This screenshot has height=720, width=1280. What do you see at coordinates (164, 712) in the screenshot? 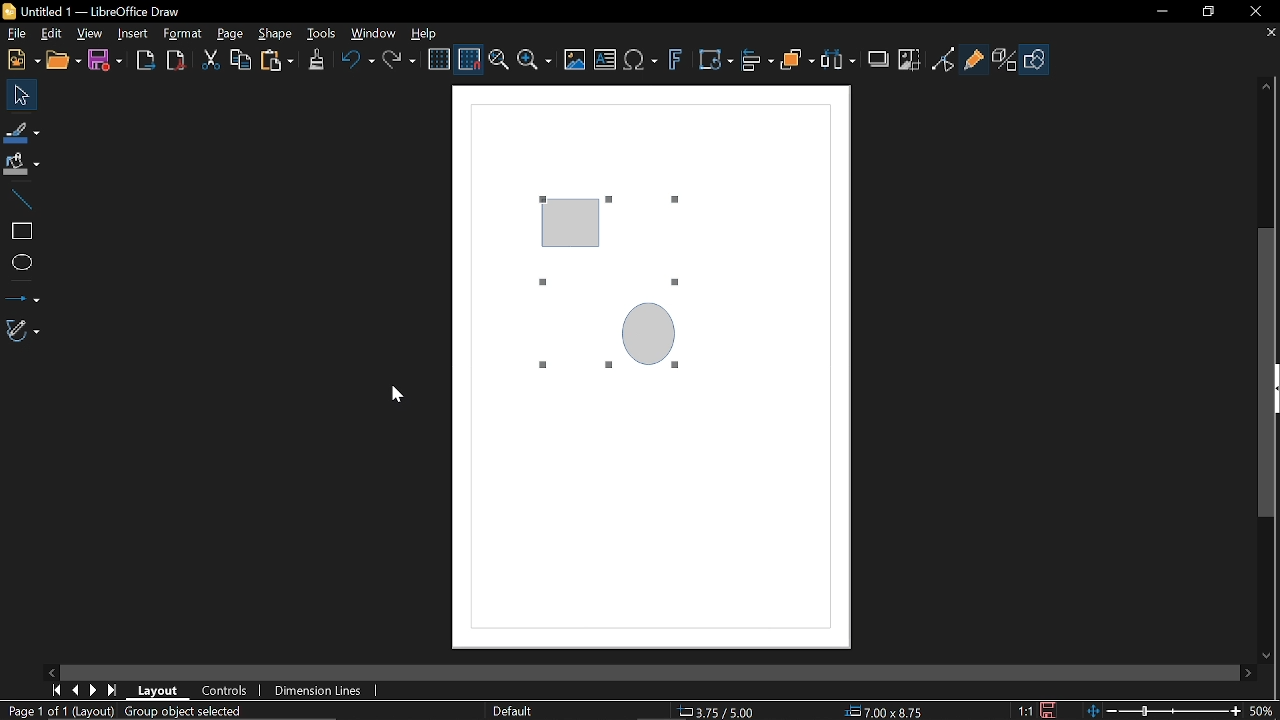
I see `Mark objects` at bounding box center [164, 712].